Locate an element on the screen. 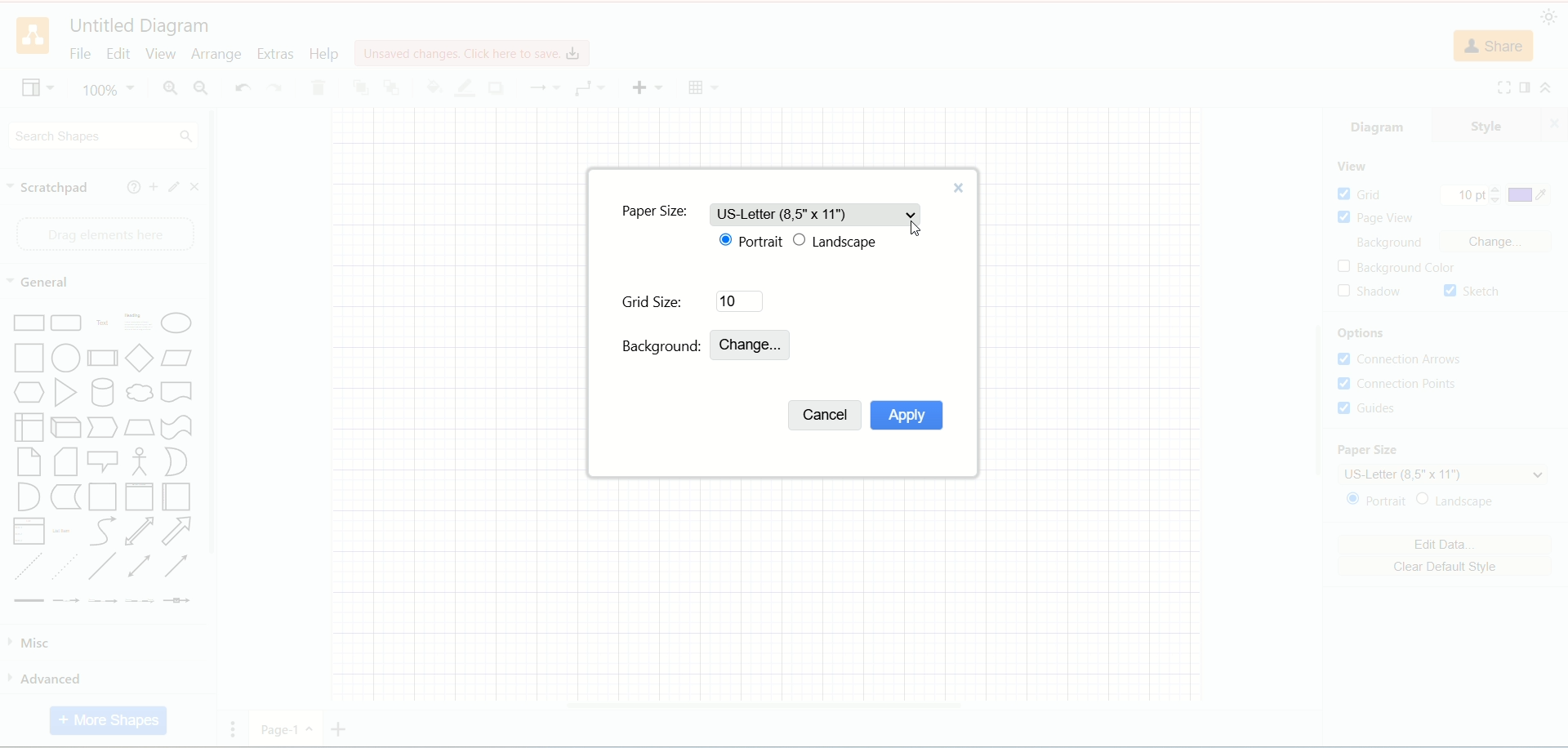 Image resolution: width=1568 pixels, height=748 pixels. landscape is located at coordinates (1468, 501).